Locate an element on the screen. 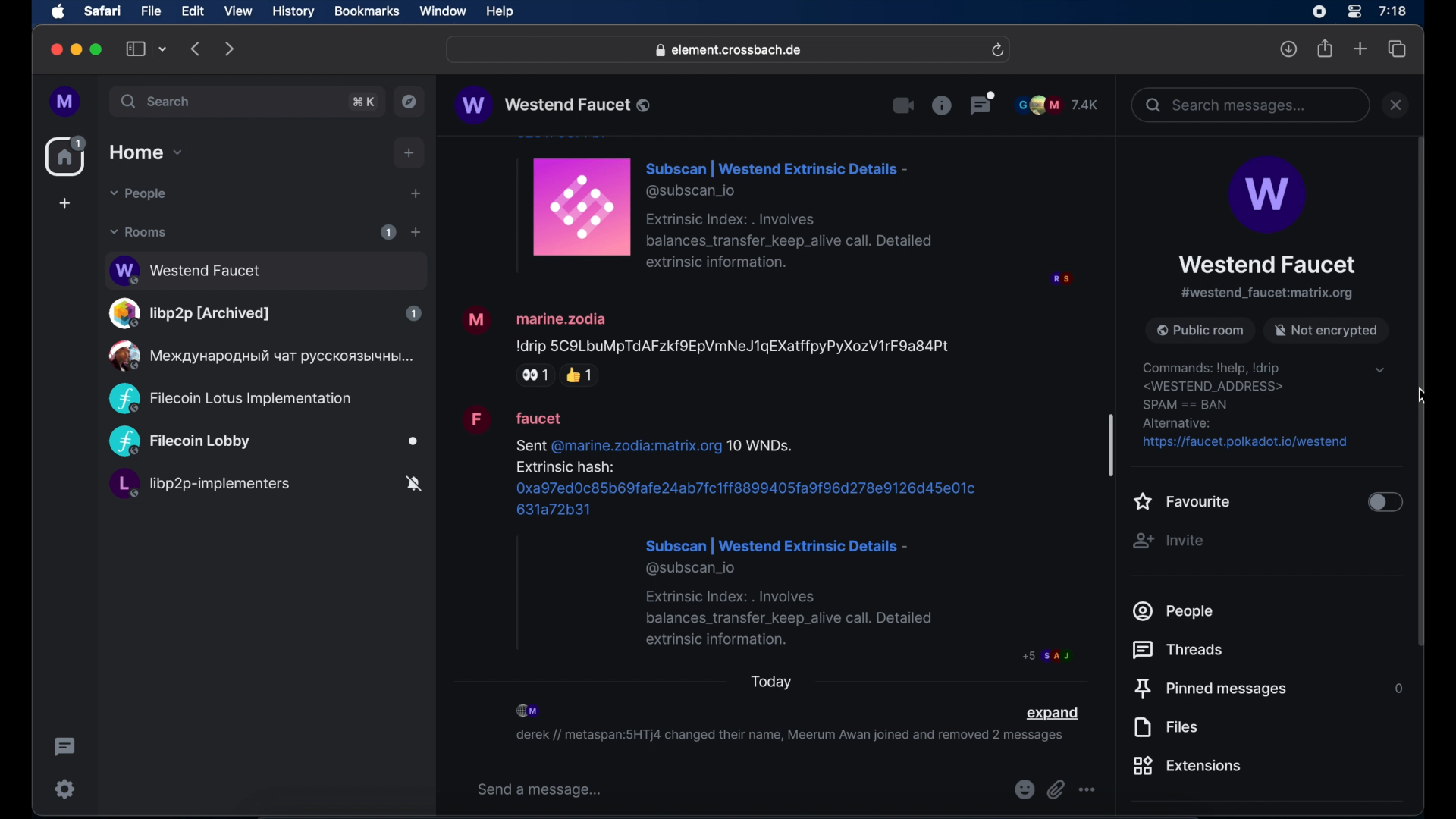 This screenshot has height=819, width=1456. backward is located at coordinates (196, 49).